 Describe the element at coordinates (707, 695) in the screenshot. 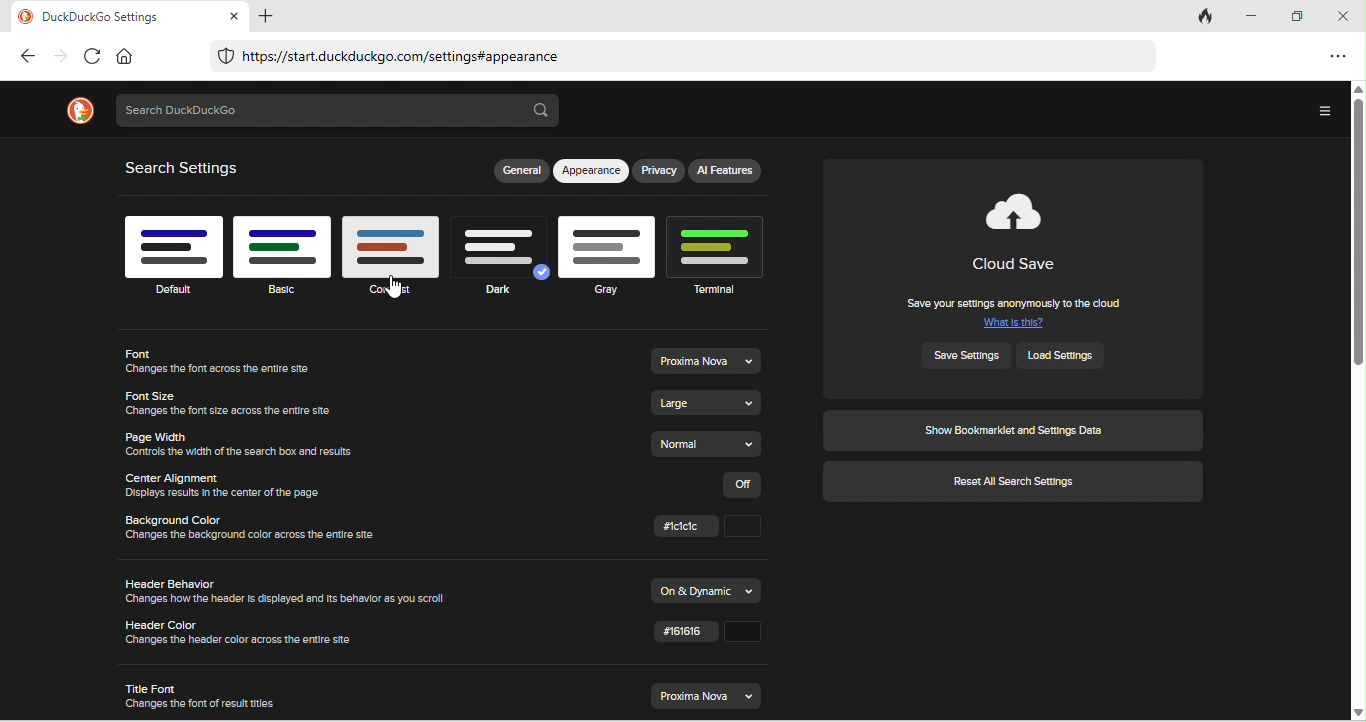

I see `proxima nova` at that location.